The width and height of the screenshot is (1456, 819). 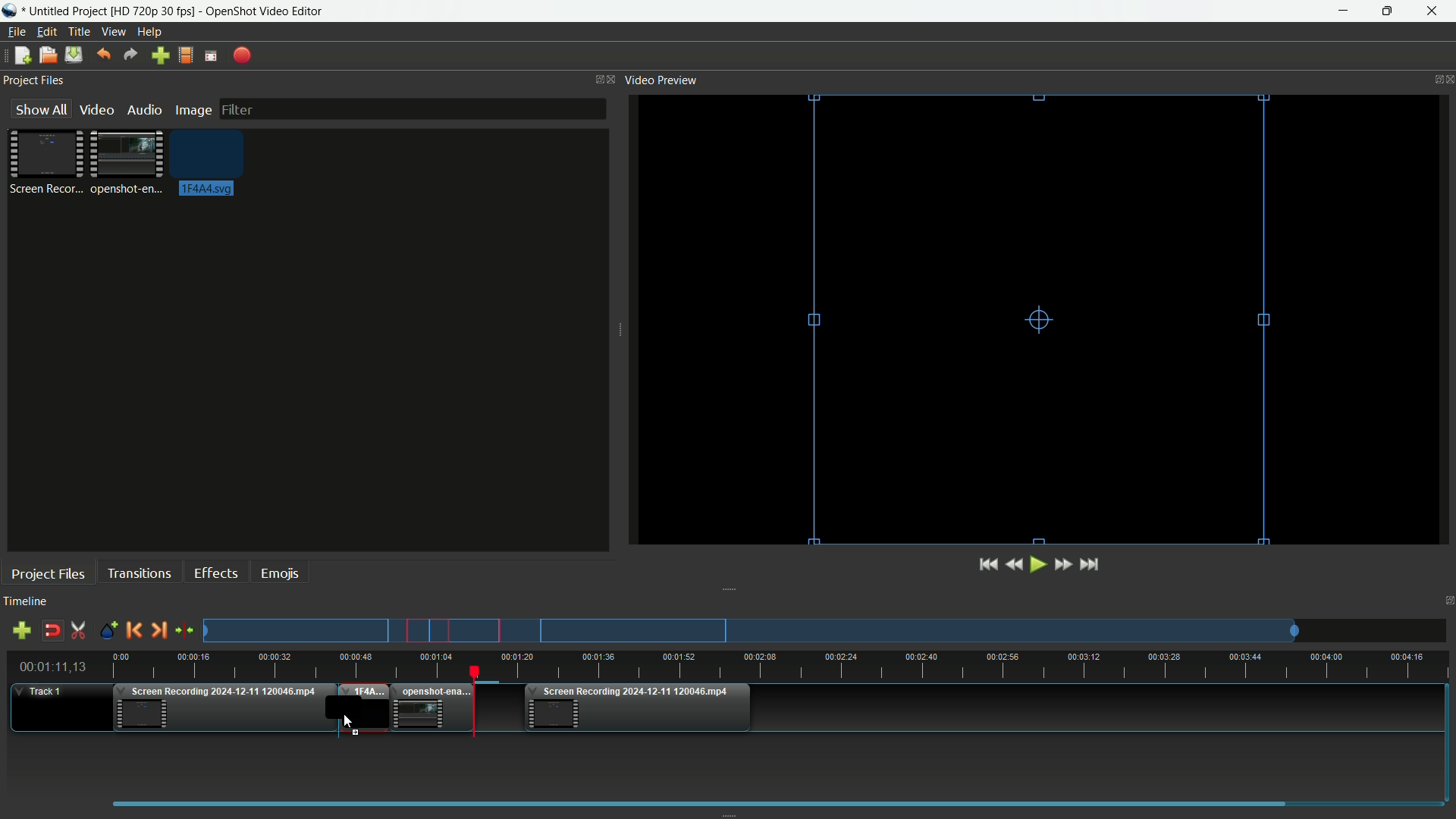 What do you see at coordinates (54, 631) in the screenshot?
I see `Disable snap` at bounding box center [54, 631].